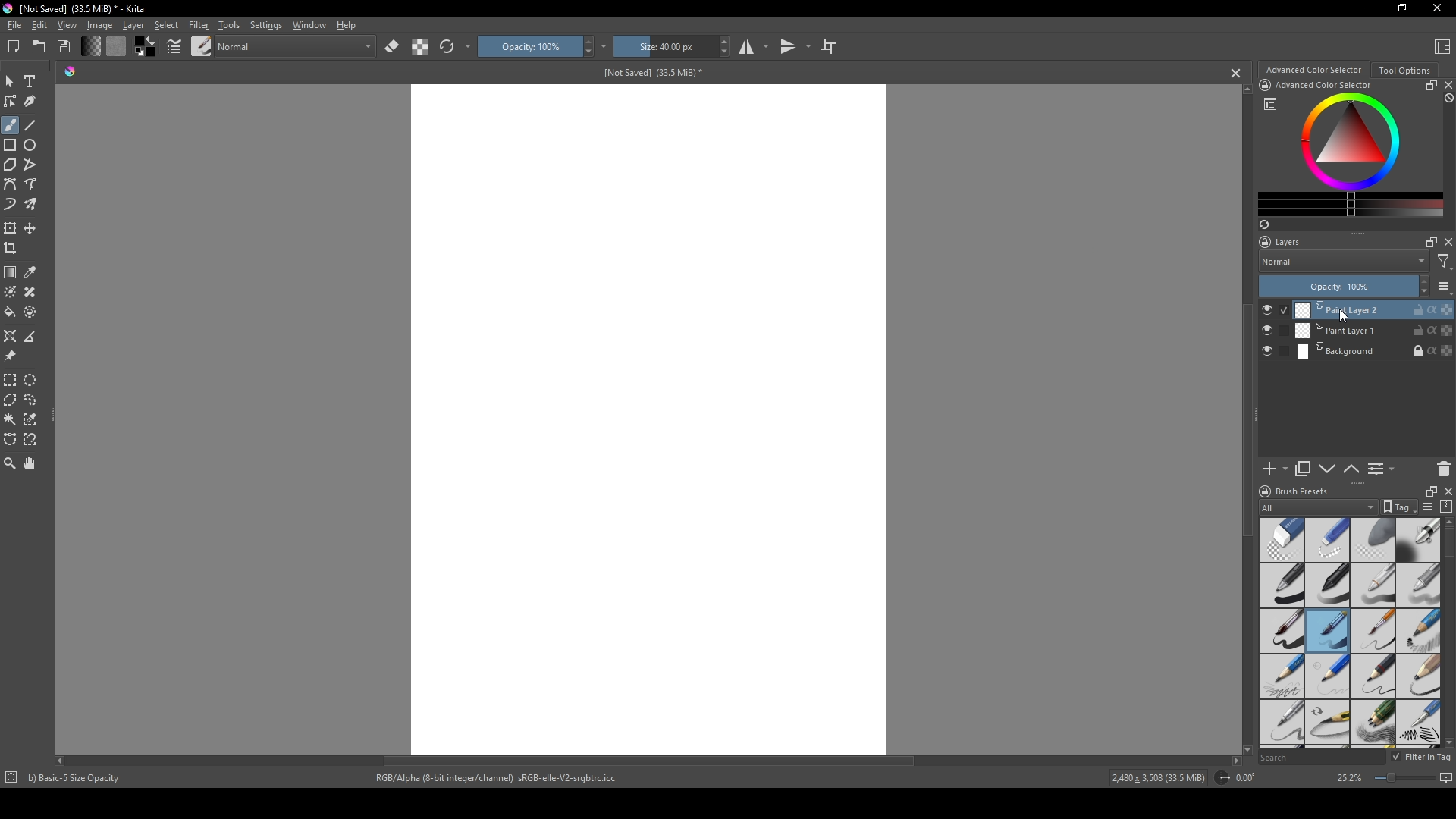 Image resolution: width=1456 pixels, height=819 pixels. What do you see at coordinates (1369, 8) in the screenshot?
I see `minimize` at bounding box center [1369, 8].